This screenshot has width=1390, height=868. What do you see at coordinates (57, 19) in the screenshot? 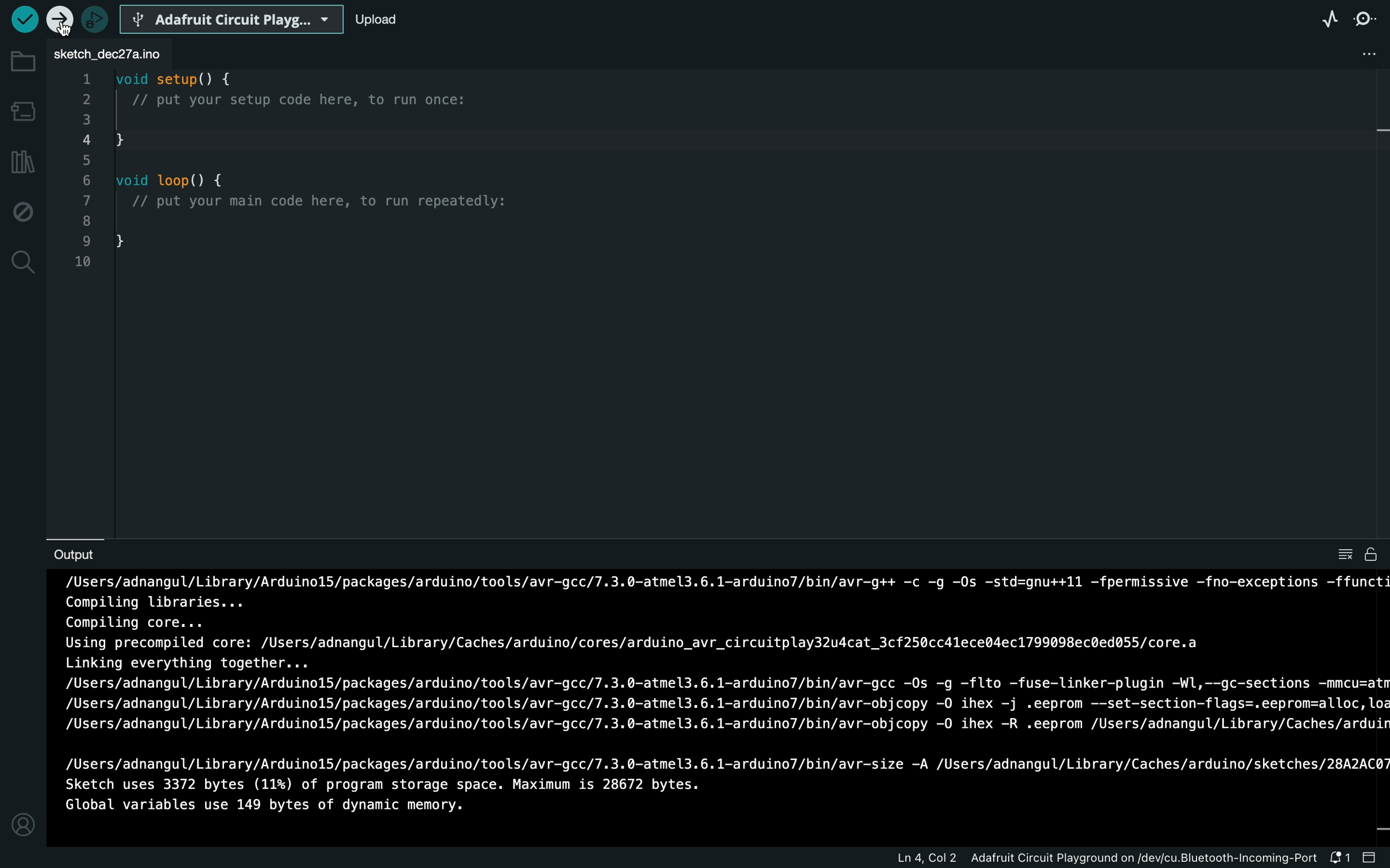
I see `selected` at bounding box center [57, 19].